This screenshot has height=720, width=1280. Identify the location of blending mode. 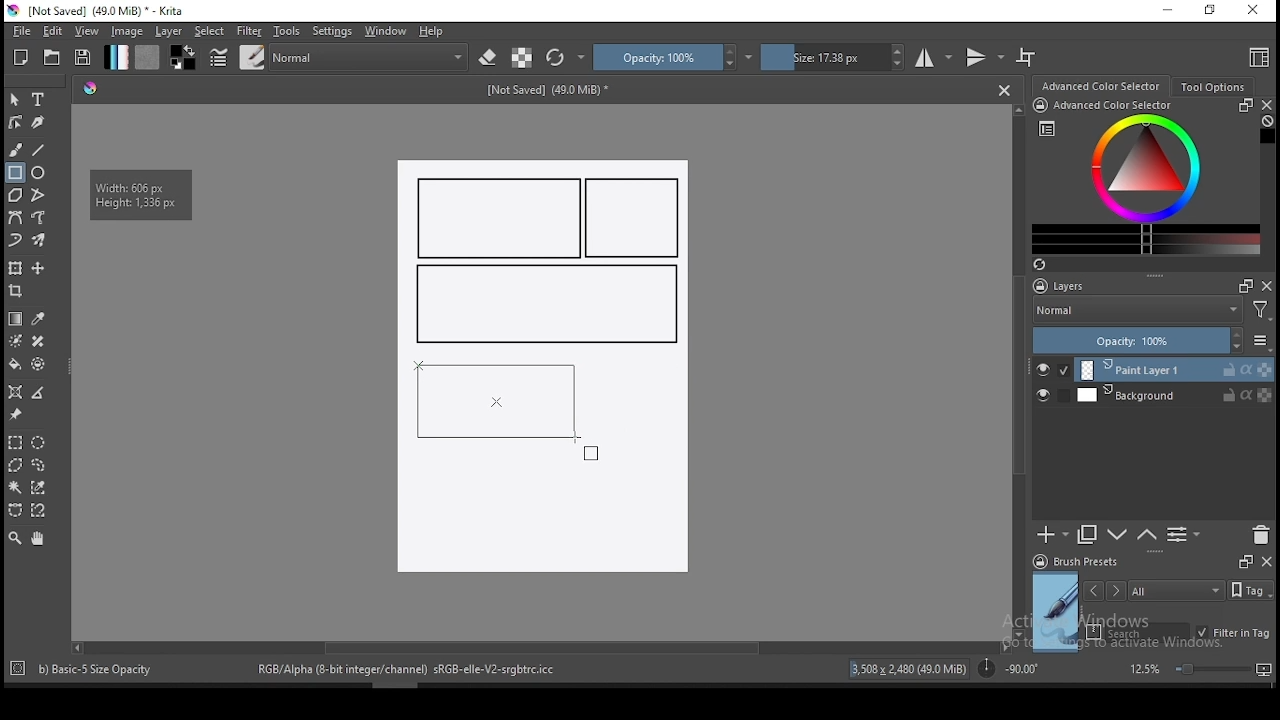
(1136, 312).